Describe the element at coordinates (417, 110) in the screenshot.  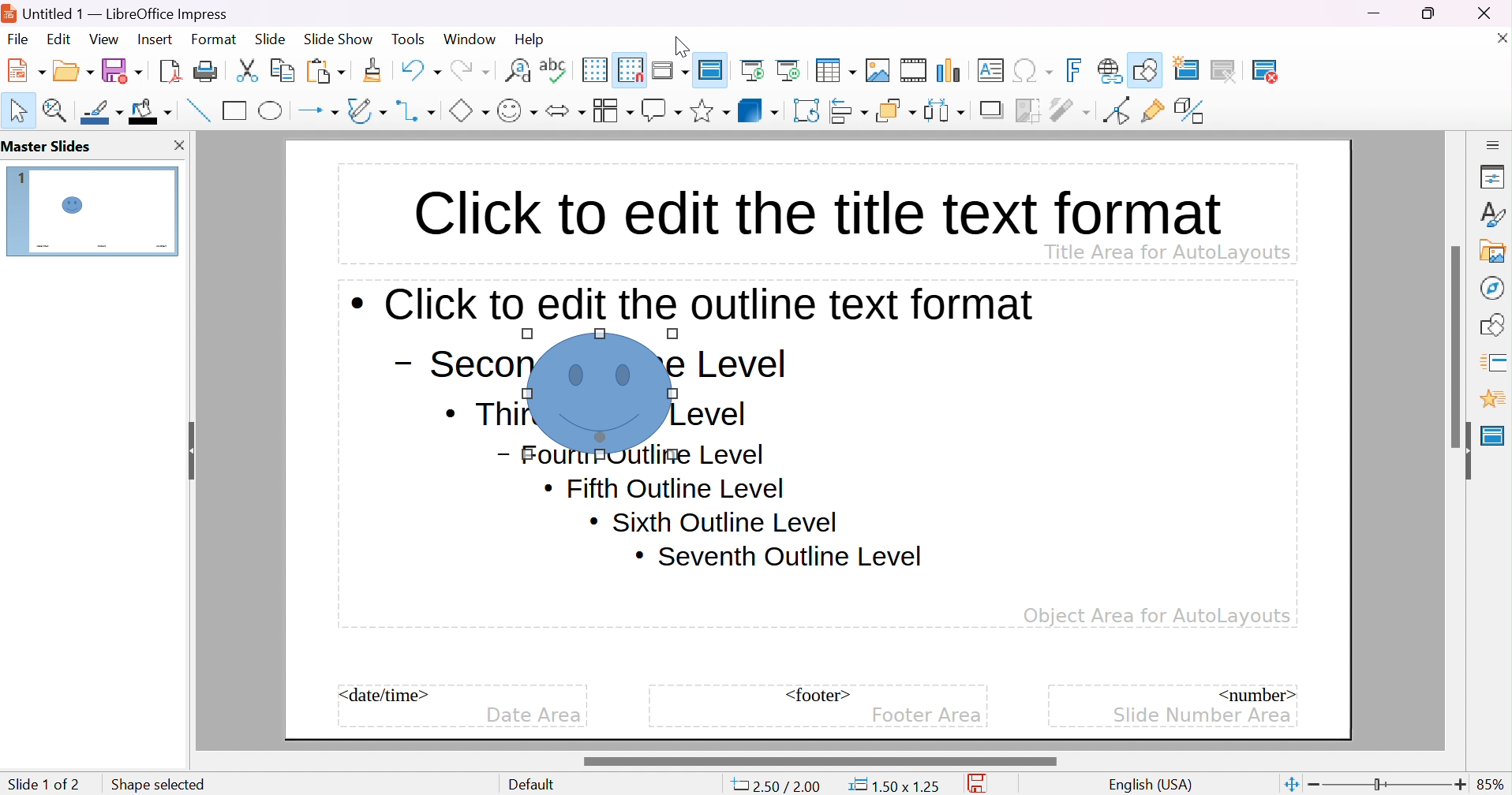
I see `connectors` at that location.